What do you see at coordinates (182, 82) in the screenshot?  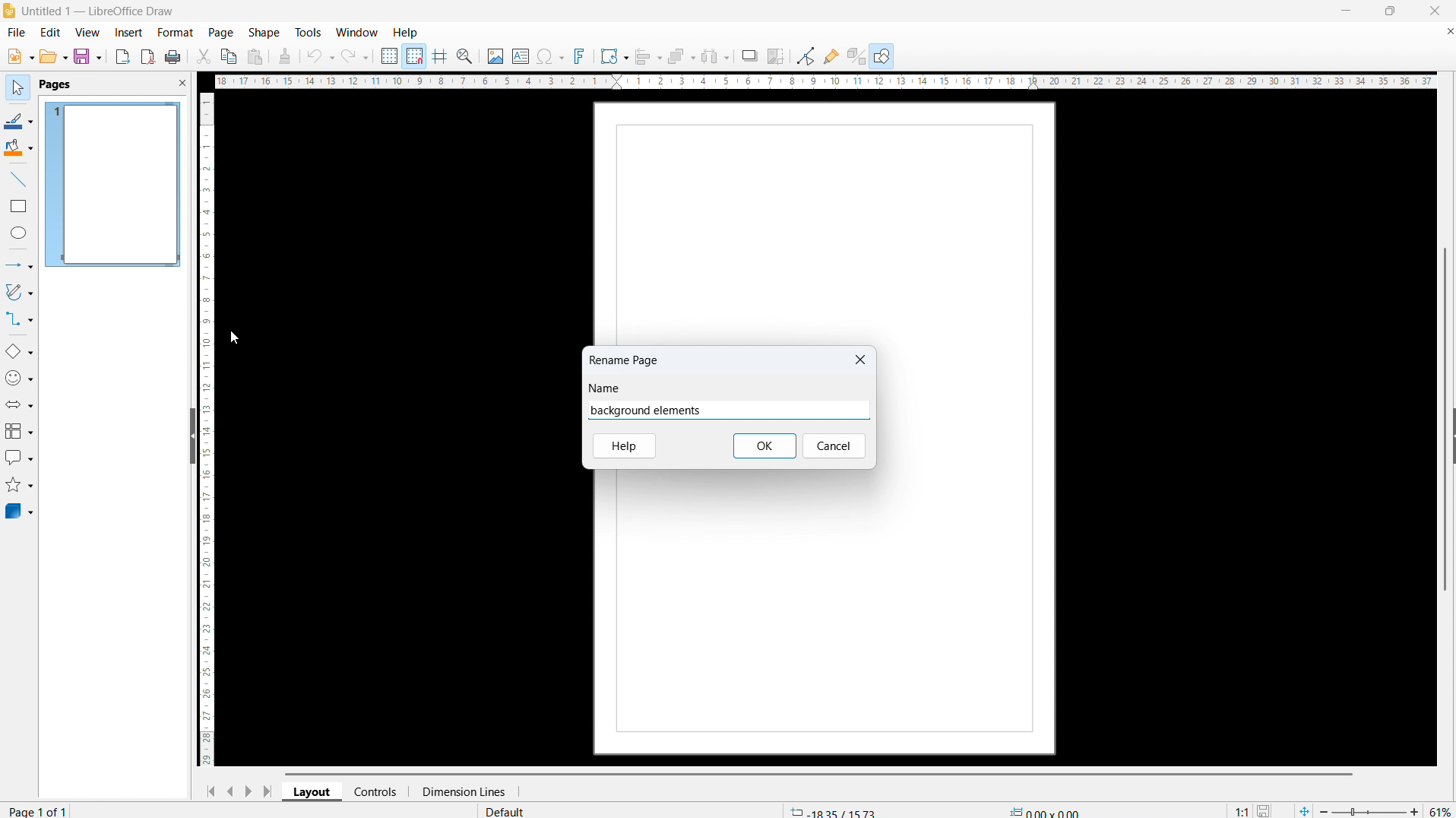 I see `close pane` at bounding box center [182, 82].